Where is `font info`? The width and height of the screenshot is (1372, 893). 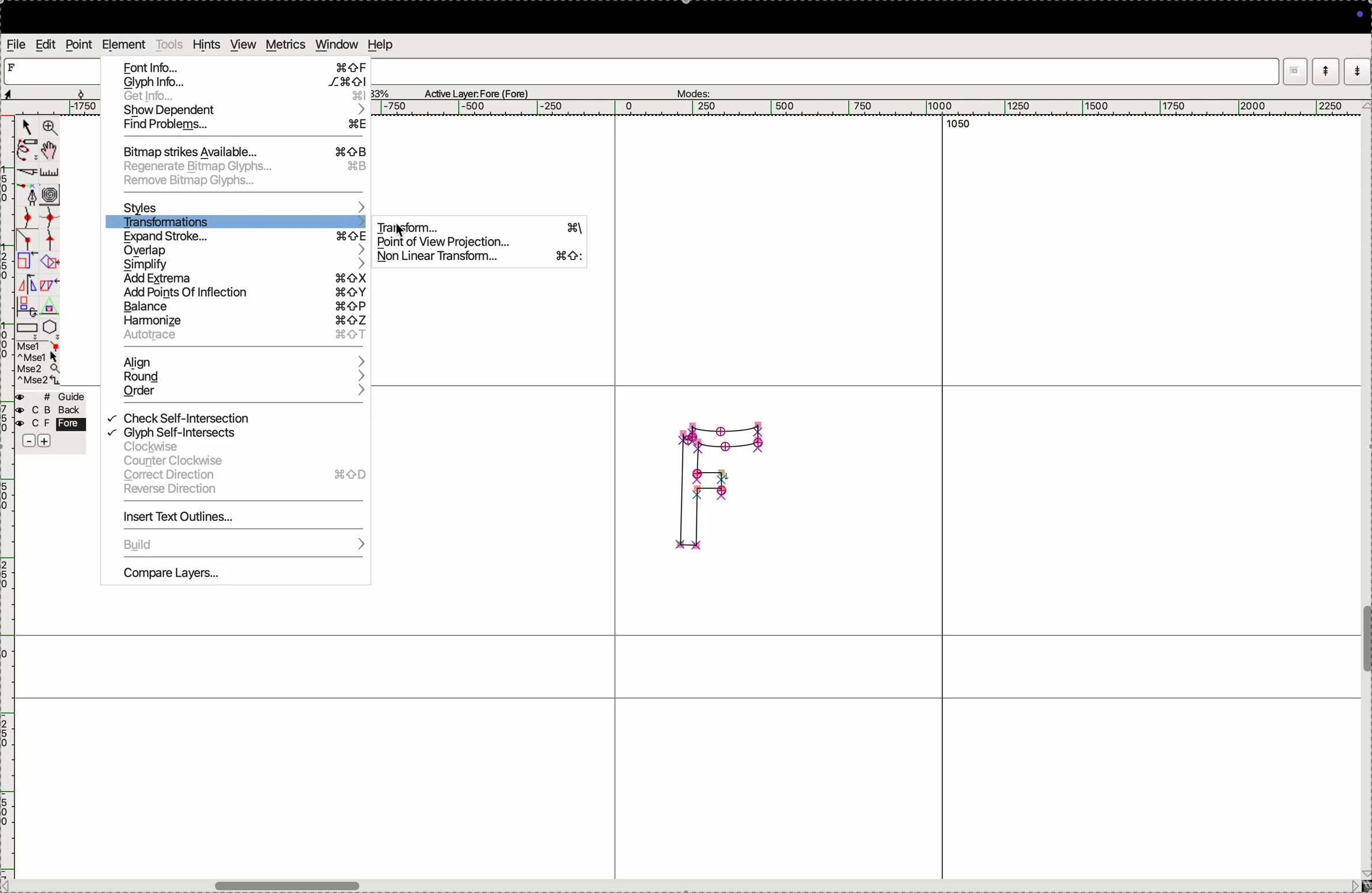
font info is located at coordinates (246, 66).